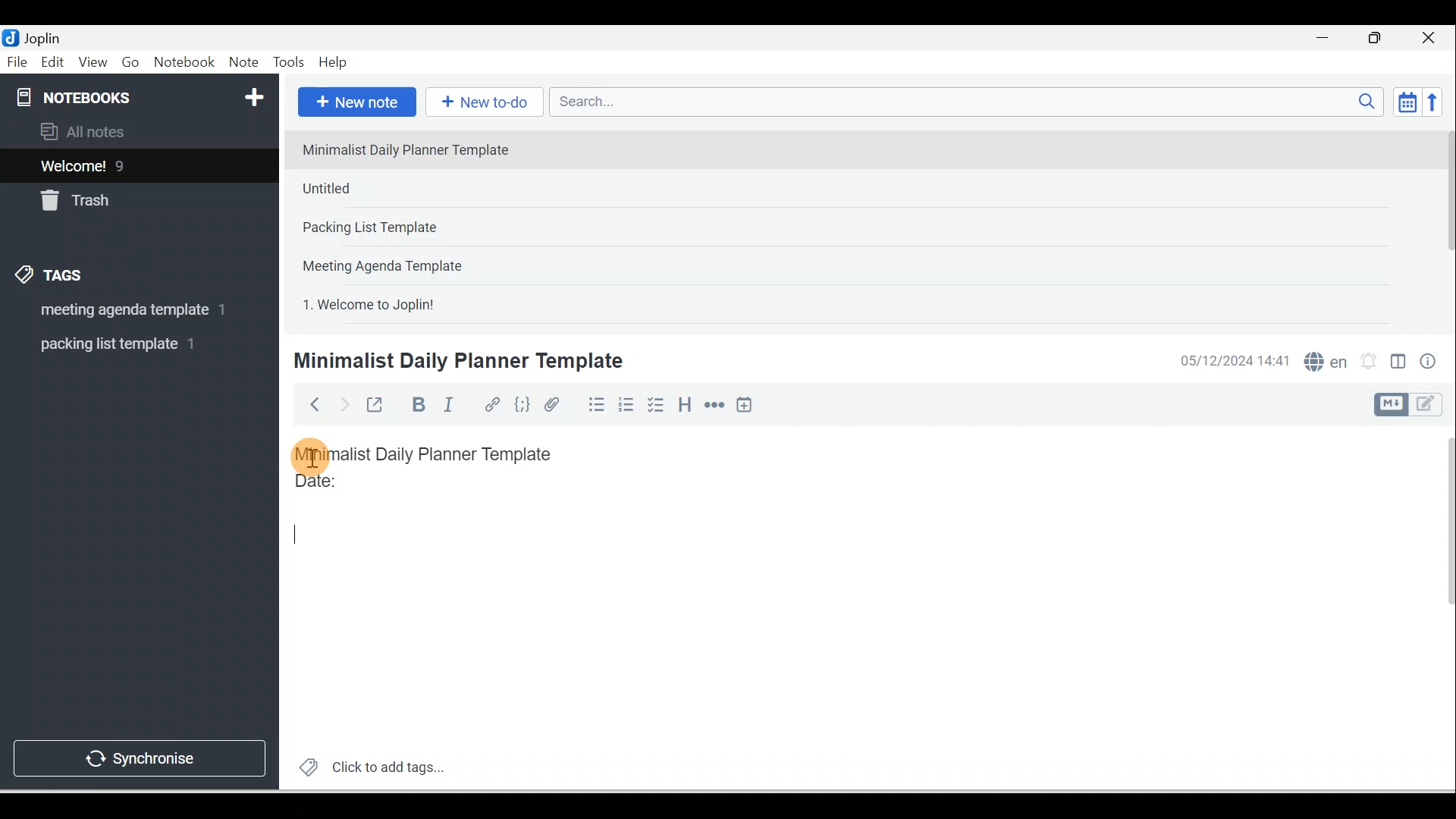 Image resolution: width=1456 pixels, height=819 pixels. Describe the element at coordinates (54, 63) in the screenshot. I see `Edit` at that location.